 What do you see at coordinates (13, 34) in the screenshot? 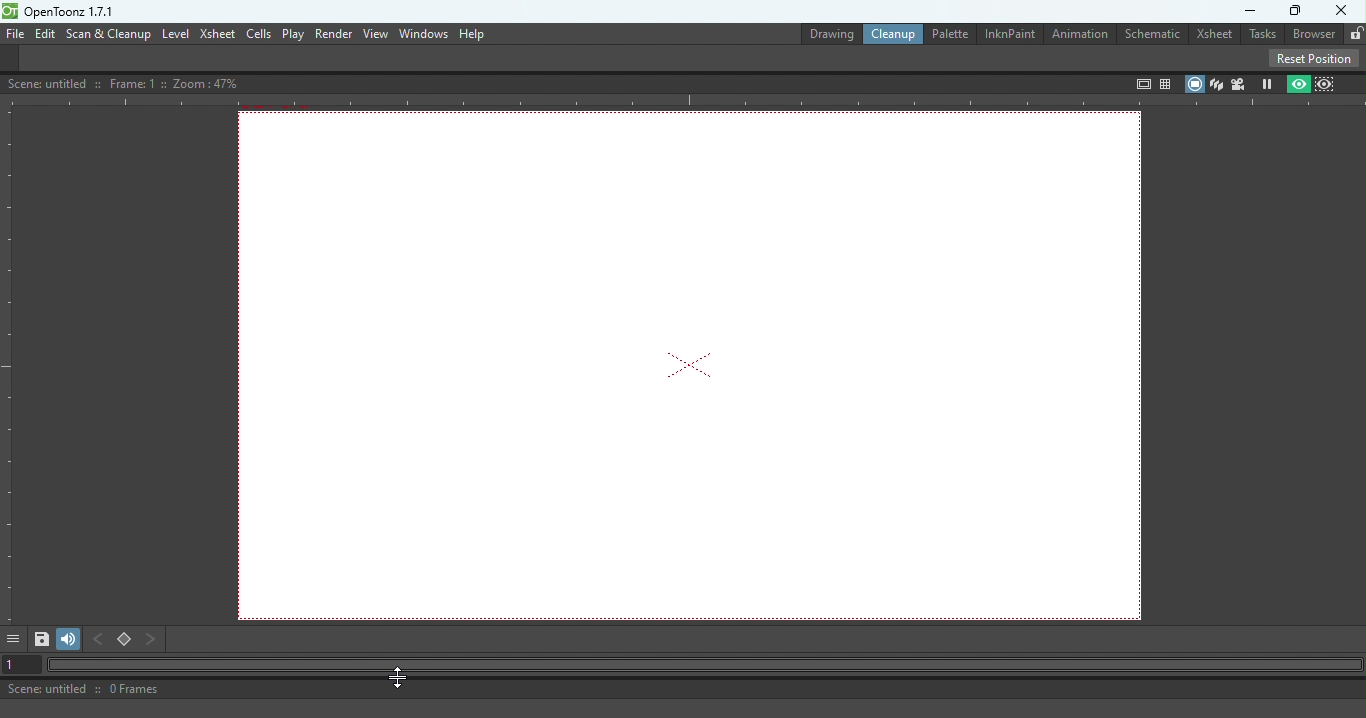
I see `File` at bounding box center [13, 34].